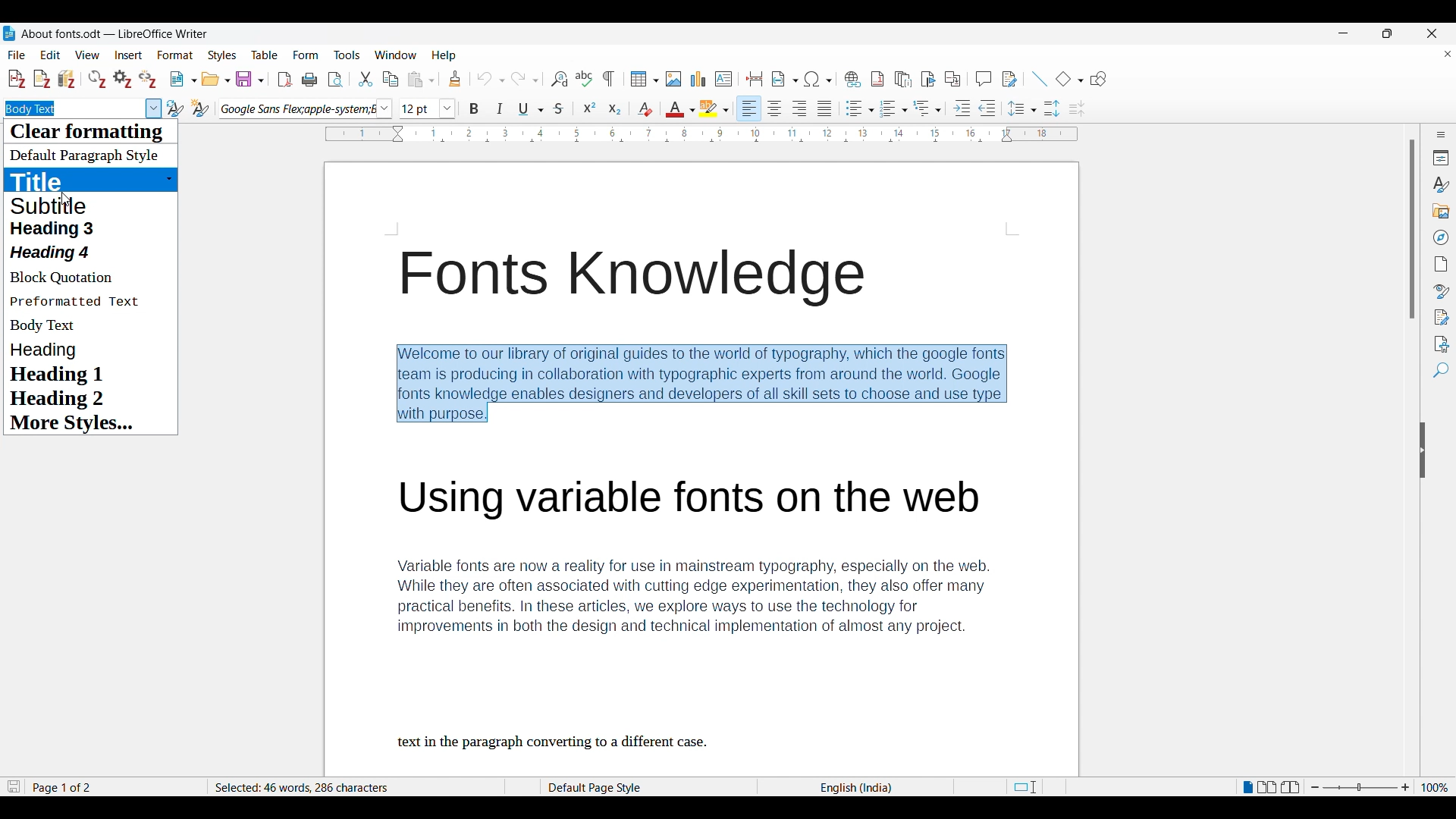 This screenshot has height=819, width=1456. What do you see at coordinates (337, 80) in the screenshot?
I see `Toggle print preview` at bounding box center [337, 80].